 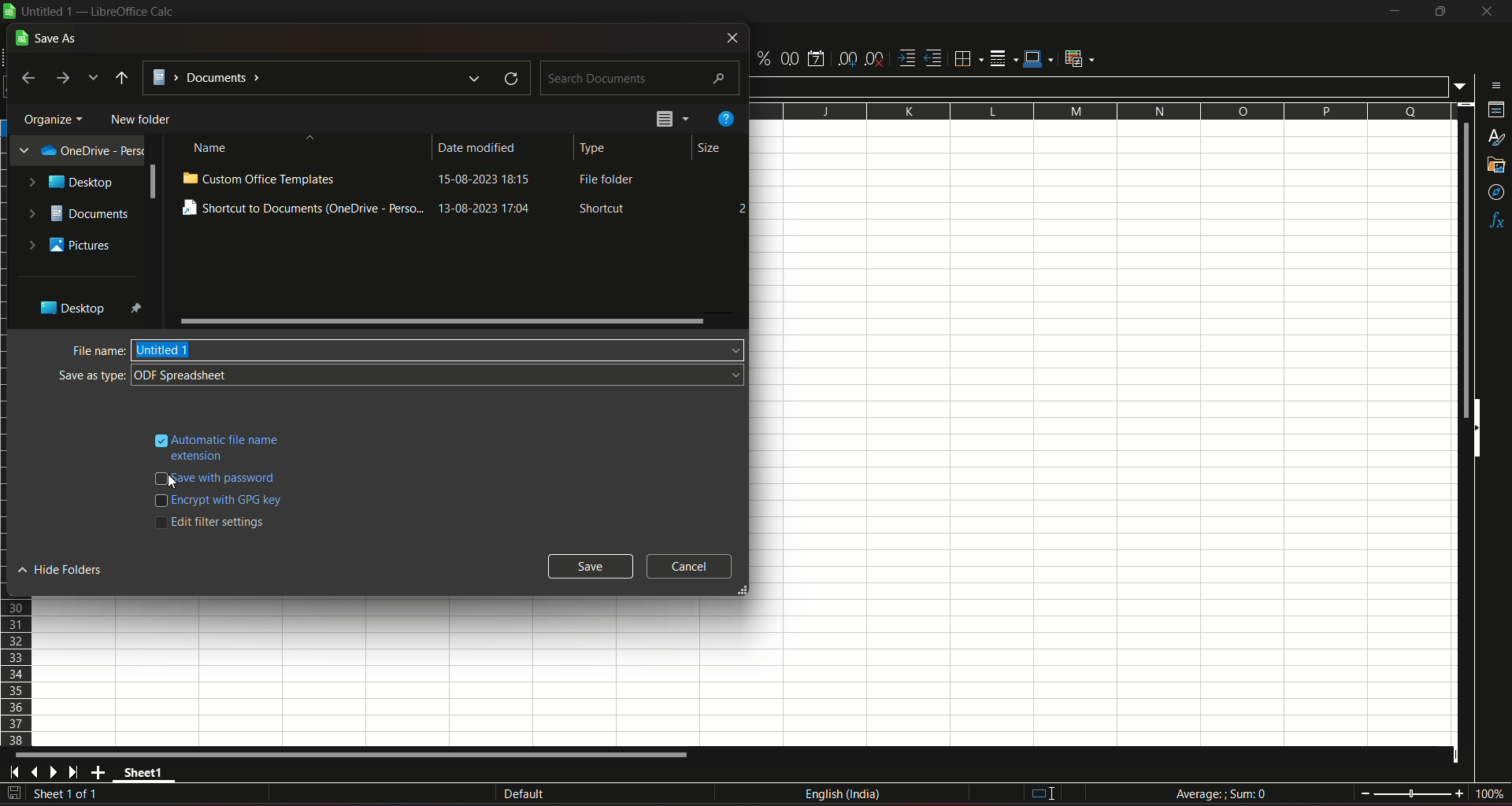 What do you see at coordinates (69, 309) in the screenshot?
I see `desktop` at bounding box center [69, 309].